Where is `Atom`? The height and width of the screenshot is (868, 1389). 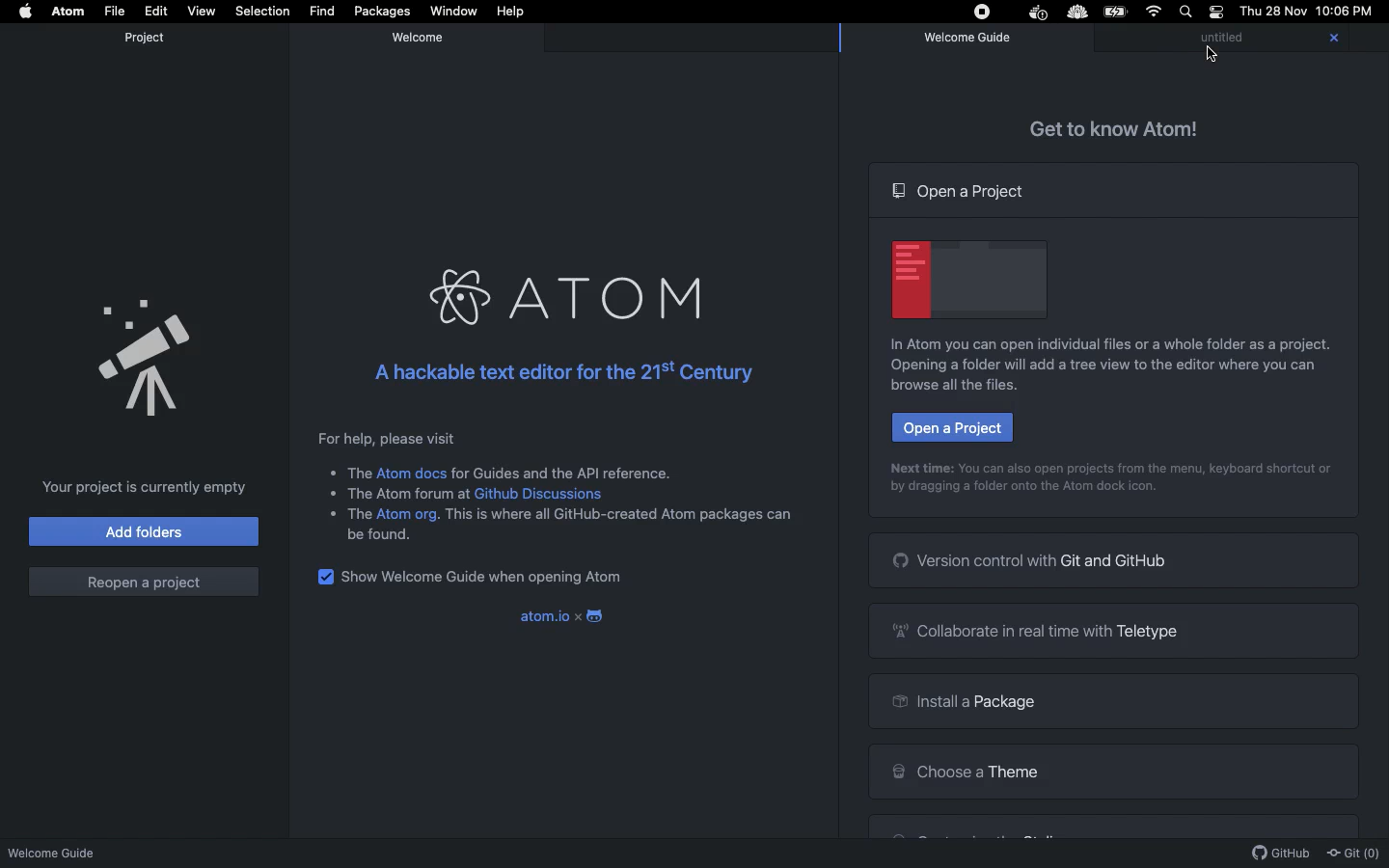
Atom is located at coordinates (68, 12).